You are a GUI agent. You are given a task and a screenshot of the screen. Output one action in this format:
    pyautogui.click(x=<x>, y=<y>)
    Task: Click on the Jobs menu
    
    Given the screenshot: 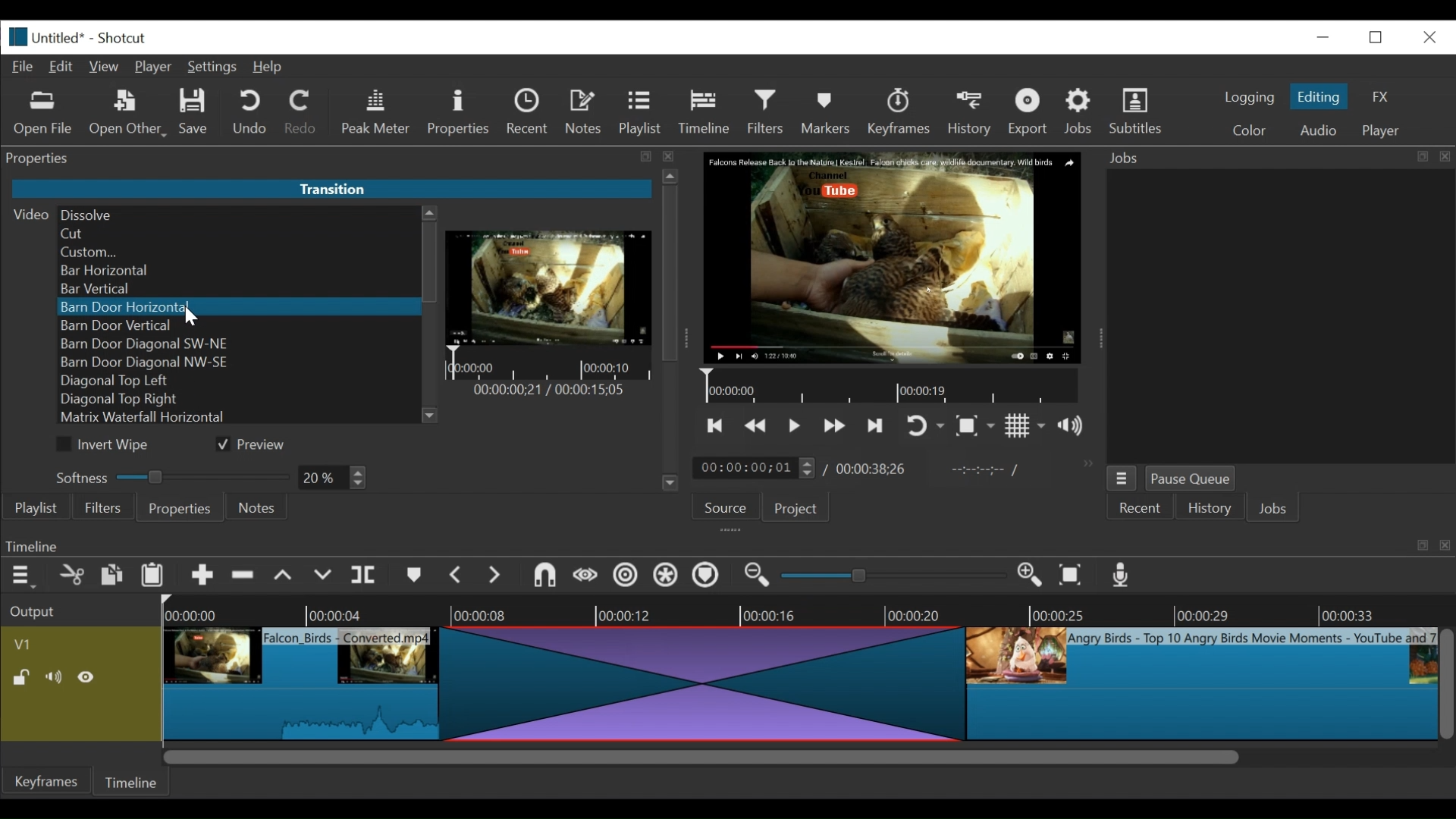 What is the action you would take?
    pyautogui.click(x=1269, y=156)
    